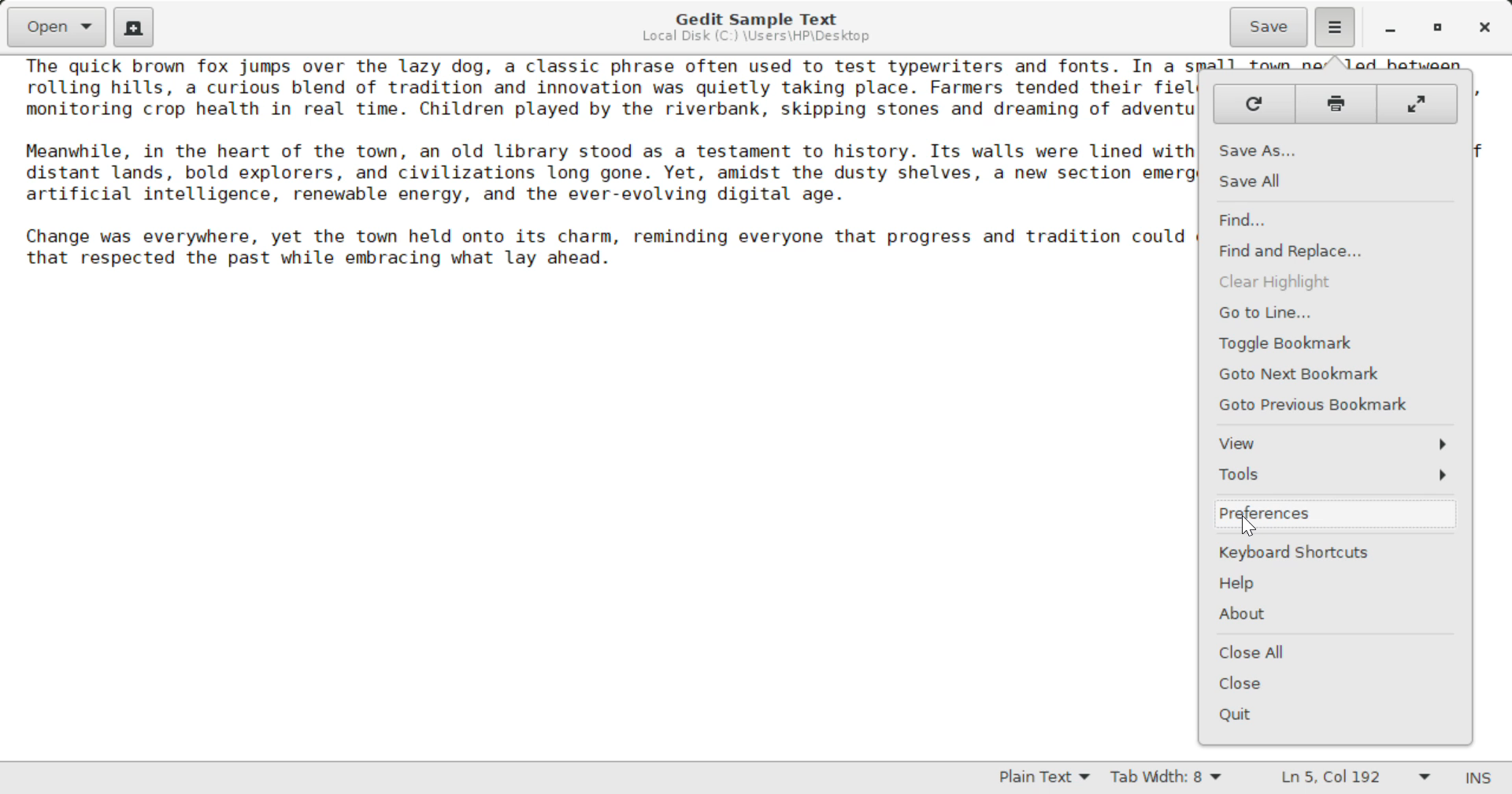  Describe the element at coordinates (1247, 714) in the screenshot. I see `Quit` at that location.